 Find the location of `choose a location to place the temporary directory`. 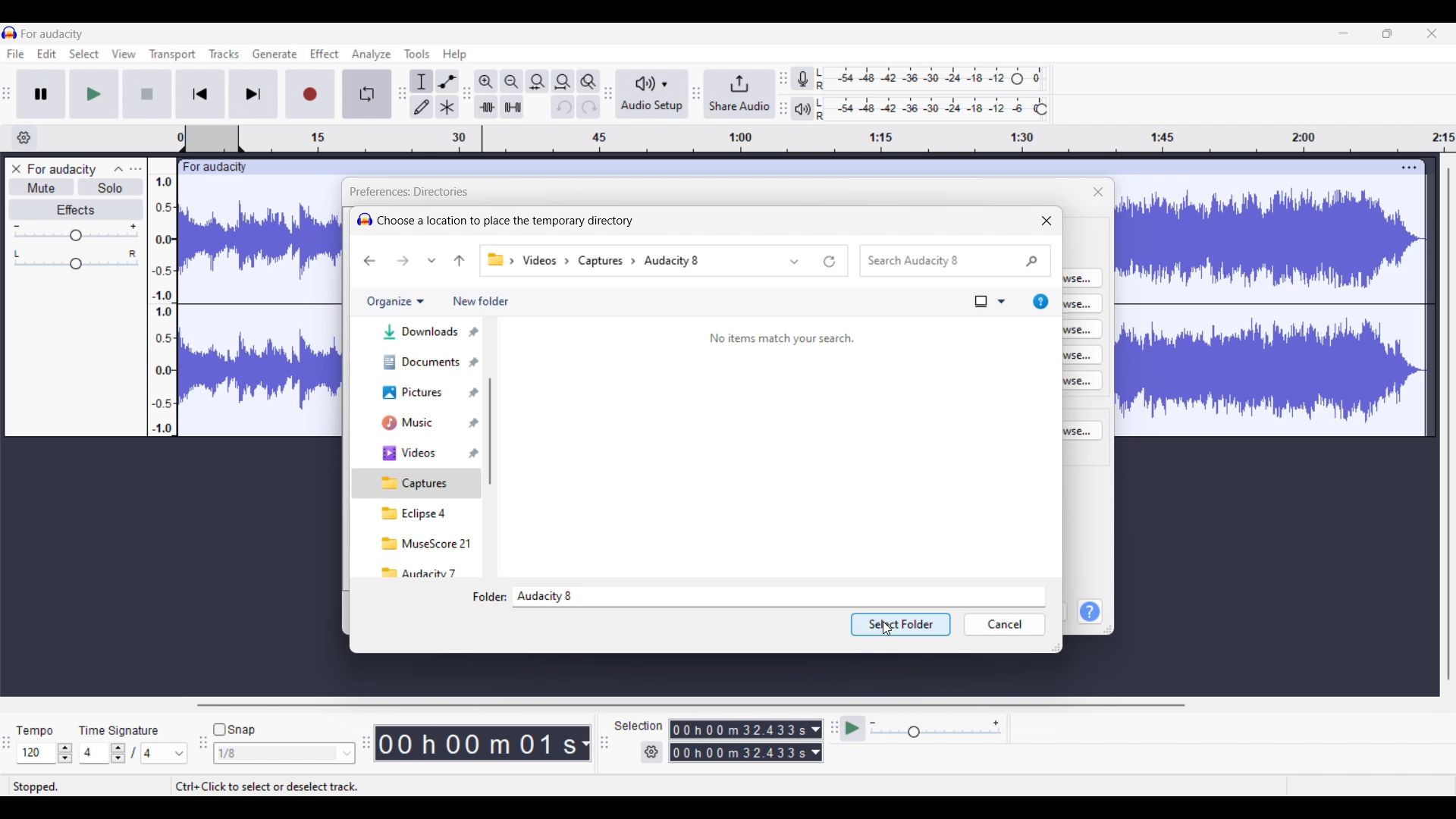

choose a location to place the temporary directory is located at coordinates (505, 220).